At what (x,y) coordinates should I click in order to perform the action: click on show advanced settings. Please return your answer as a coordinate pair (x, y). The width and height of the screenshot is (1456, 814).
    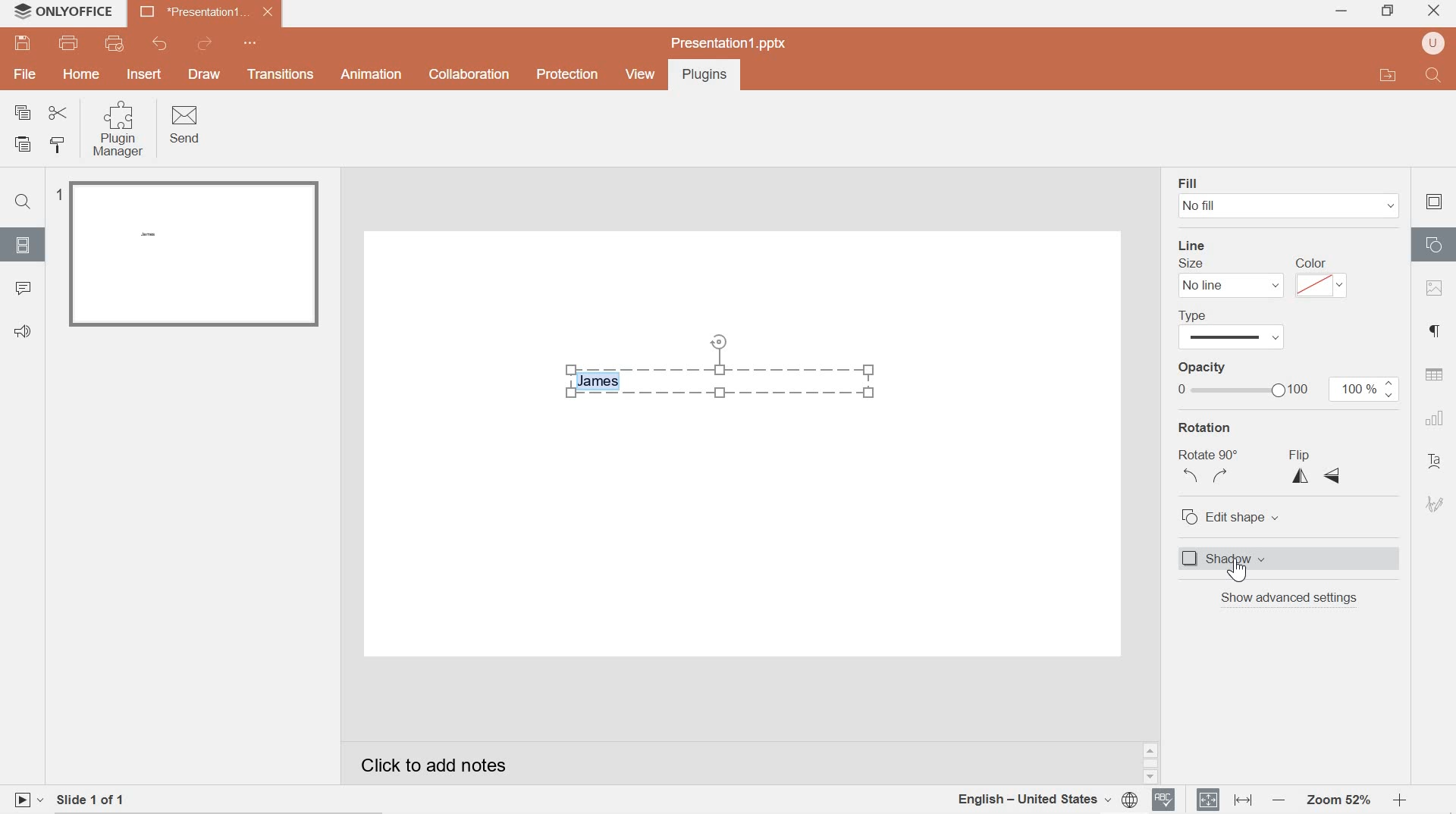
    Looking at the image, I should click on (1291, 600).